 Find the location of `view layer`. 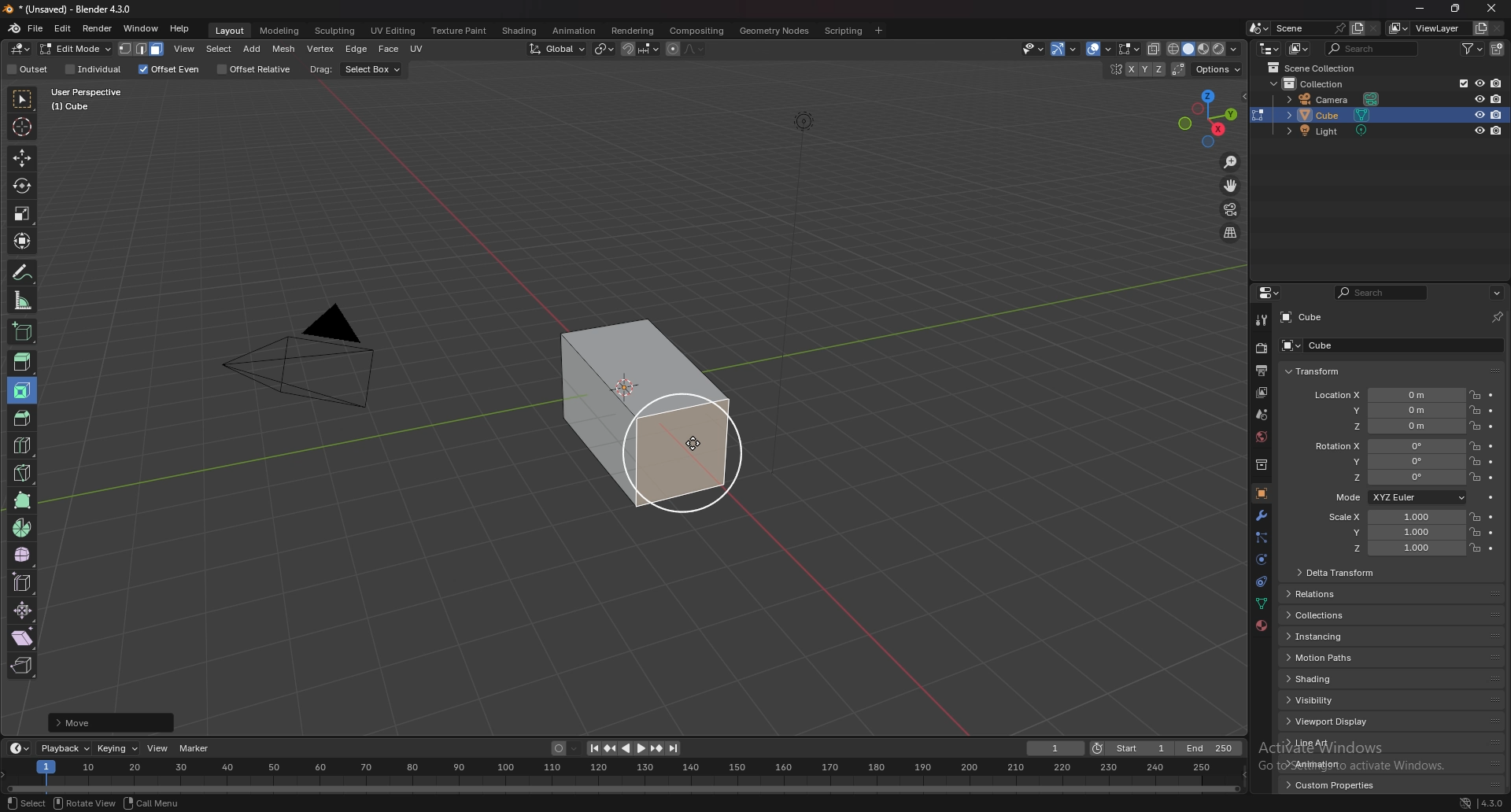

view layer is located at coordinates (1424, 28).